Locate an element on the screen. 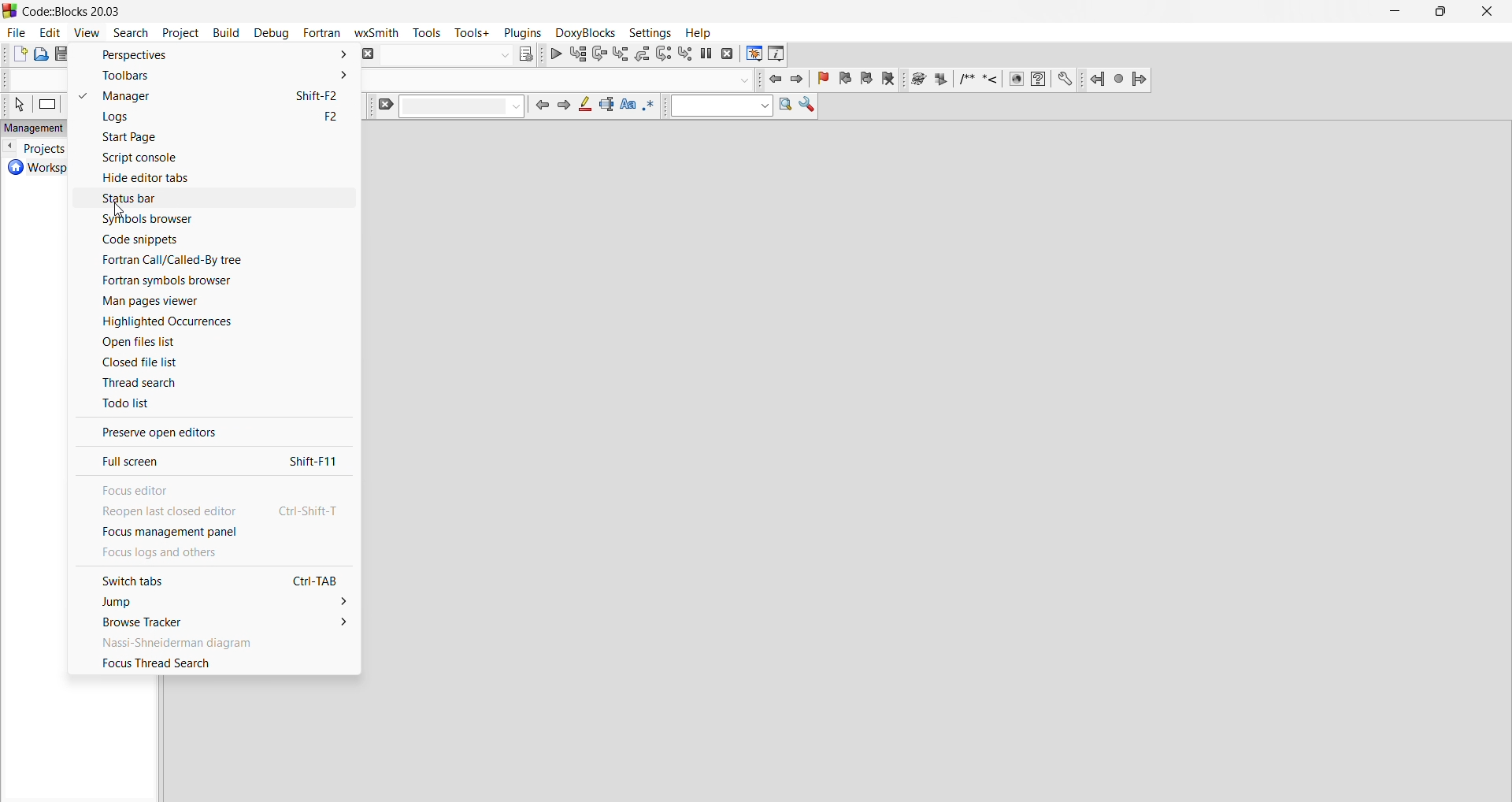 Image resolution: width=1512 pixels, height=802 pixels. Insert comment block is located at coordinates (965, 79).